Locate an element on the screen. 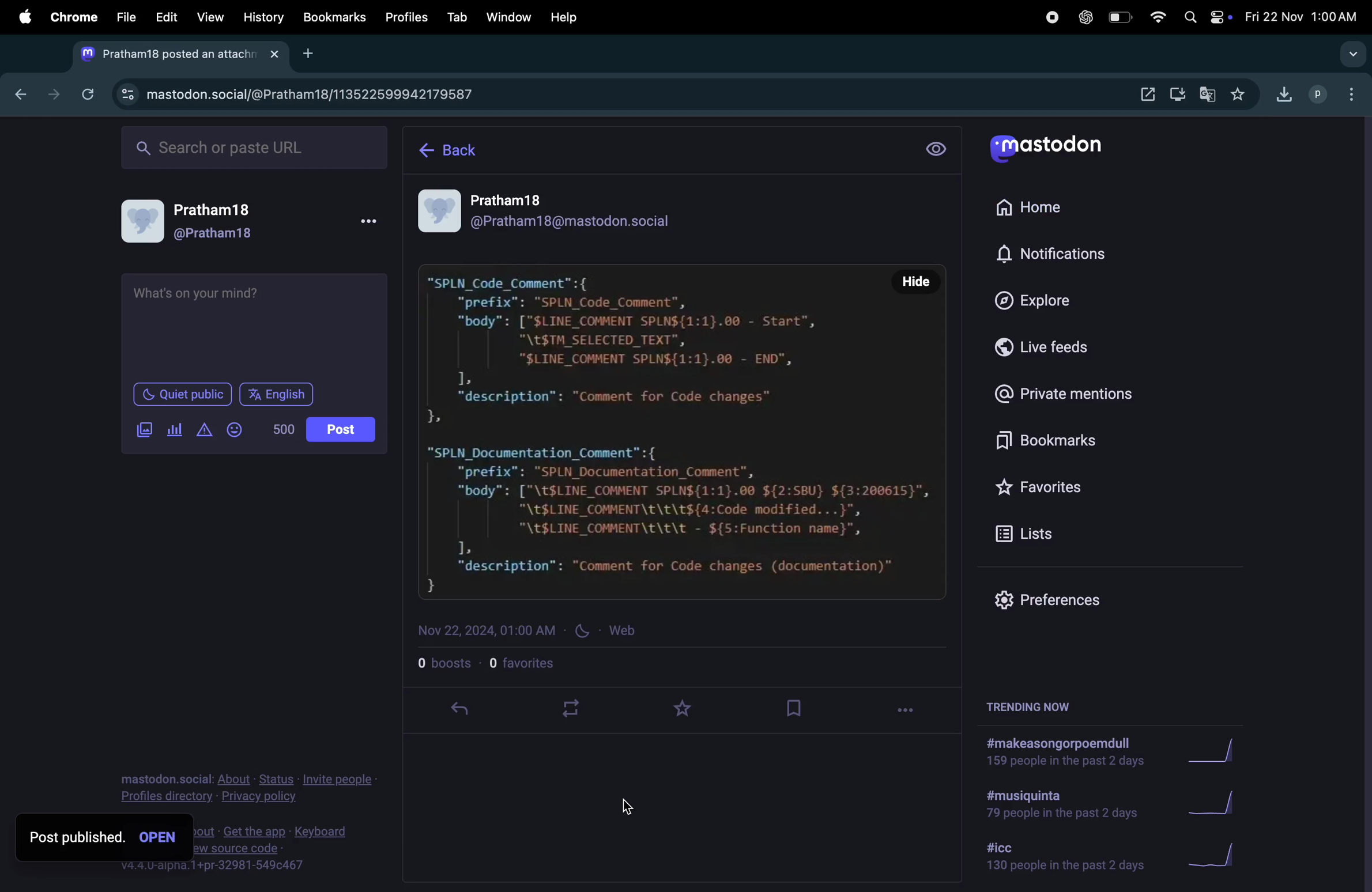 Image resolution: width=1372 pixels, height=892 pixels. close tab is located at coordinates (278, 55).